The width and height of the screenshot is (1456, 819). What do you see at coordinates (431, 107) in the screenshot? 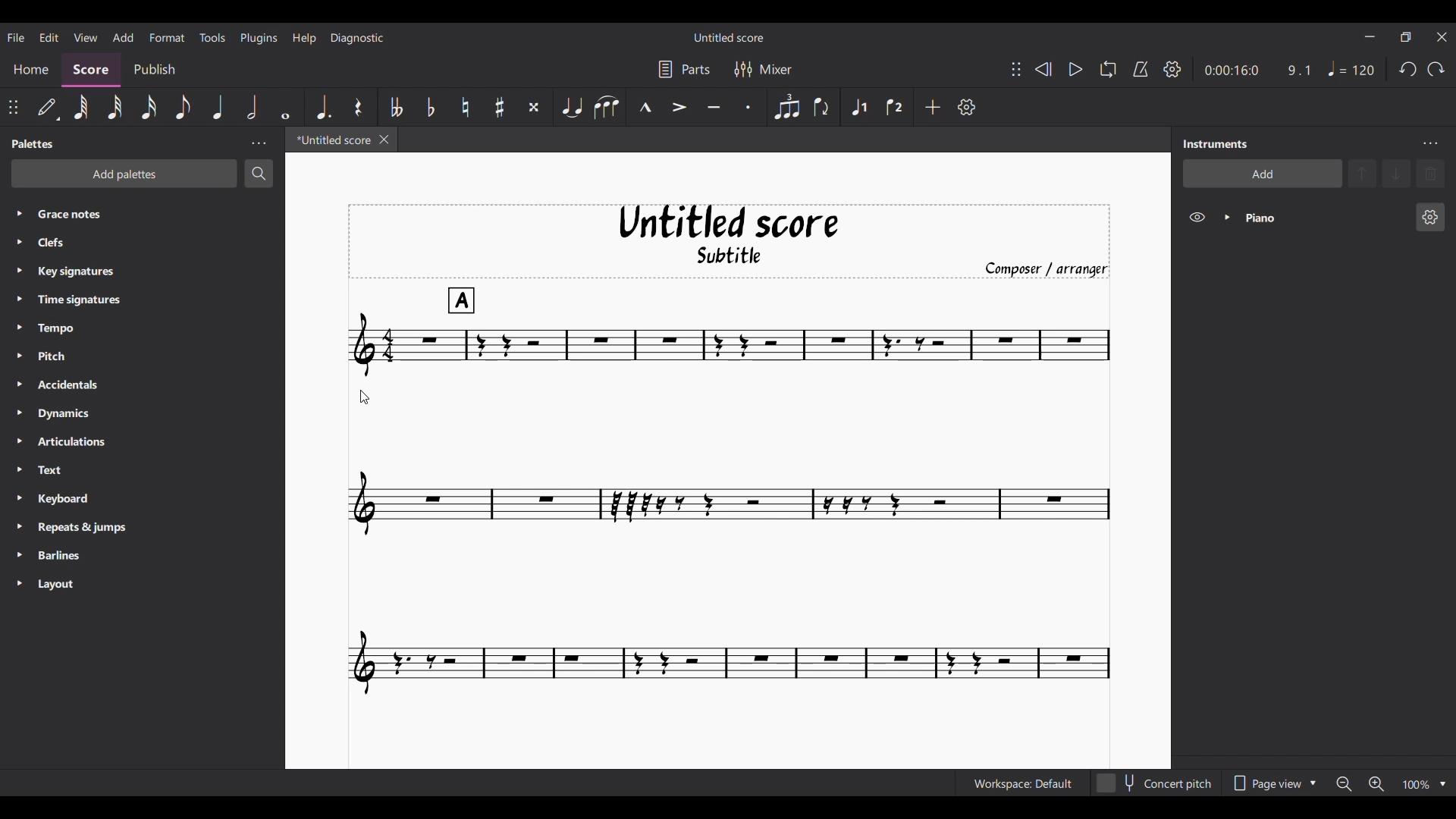
I see `Toggle flat` at bounding box center [431, 107].